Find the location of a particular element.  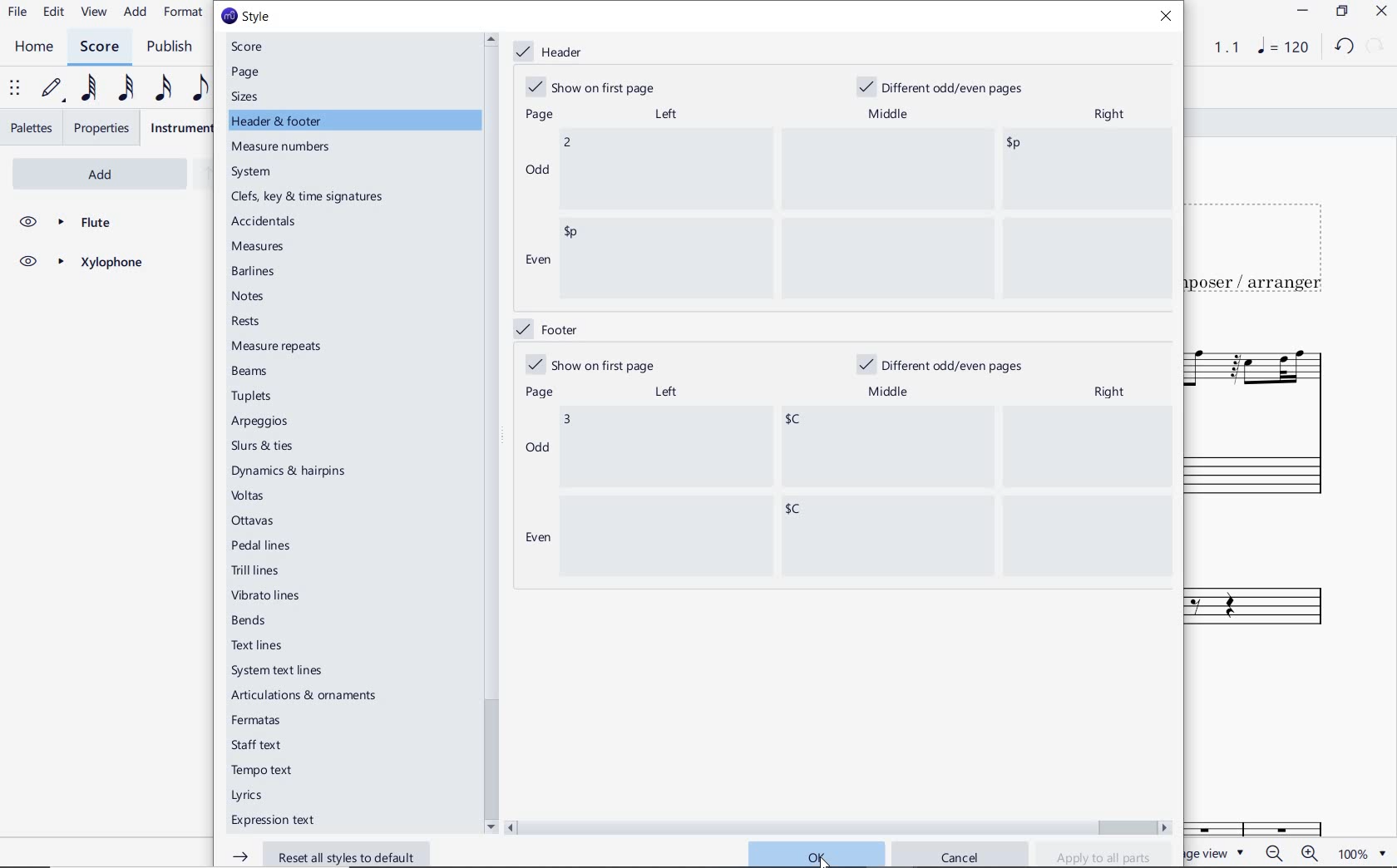

RESTORE DOWN is located at coordinates (1341, 12).